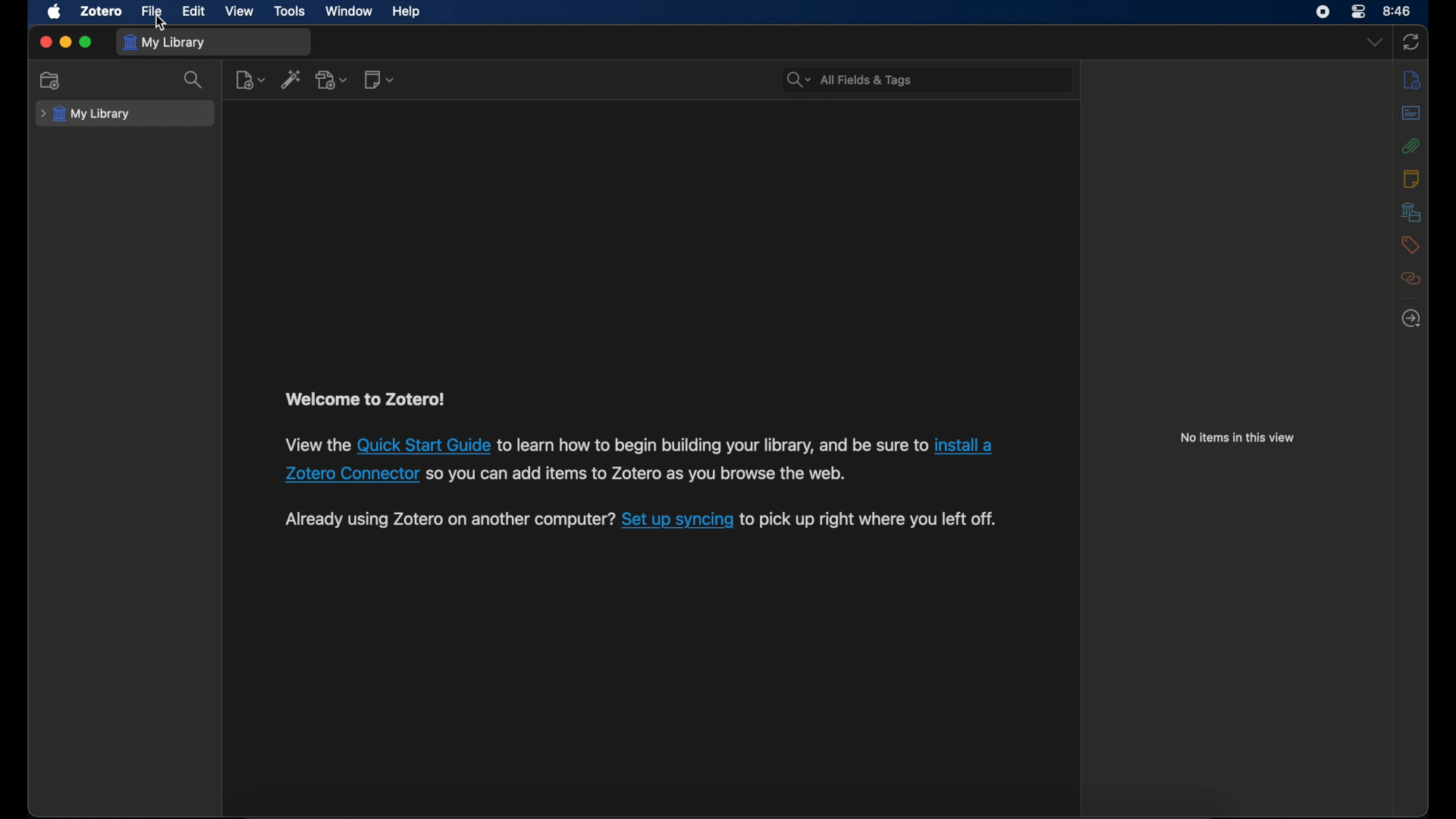  I want to click on new collection, so click(52, 80).